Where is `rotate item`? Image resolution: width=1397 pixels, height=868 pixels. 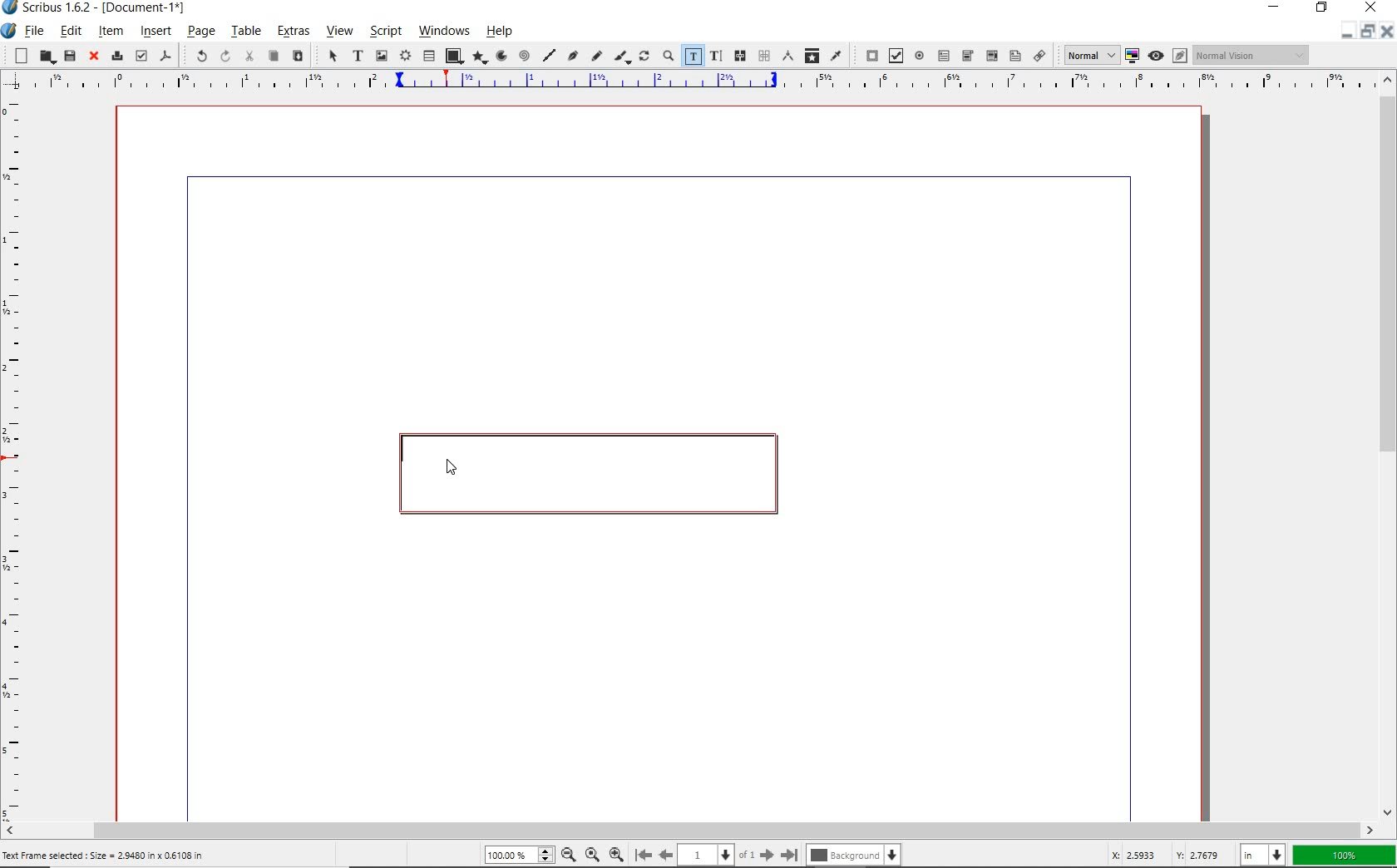 rotate item is located at coordinates (644, 57).